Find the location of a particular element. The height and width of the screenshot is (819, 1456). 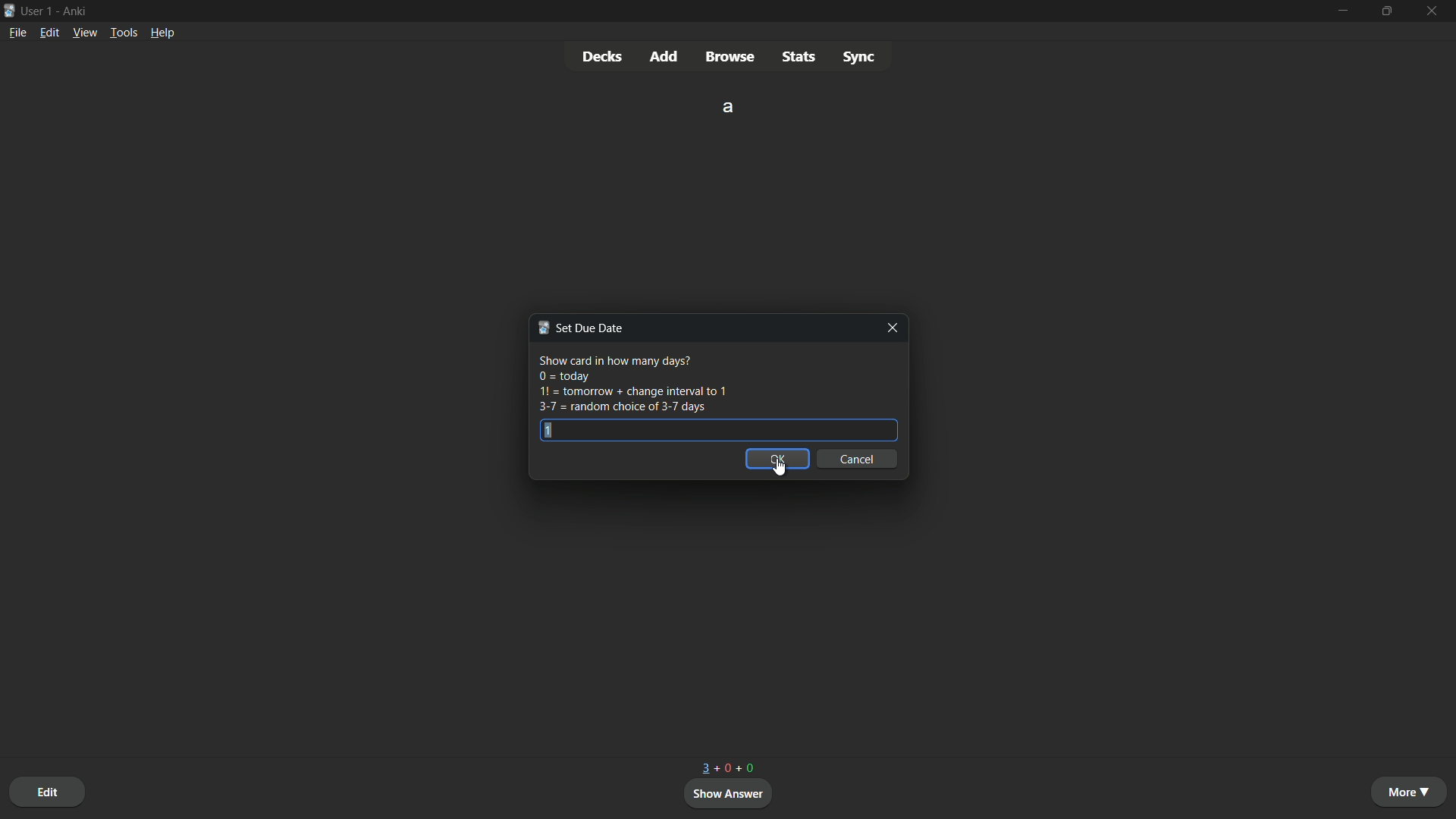

+0 is located at coordinates (724, 768).